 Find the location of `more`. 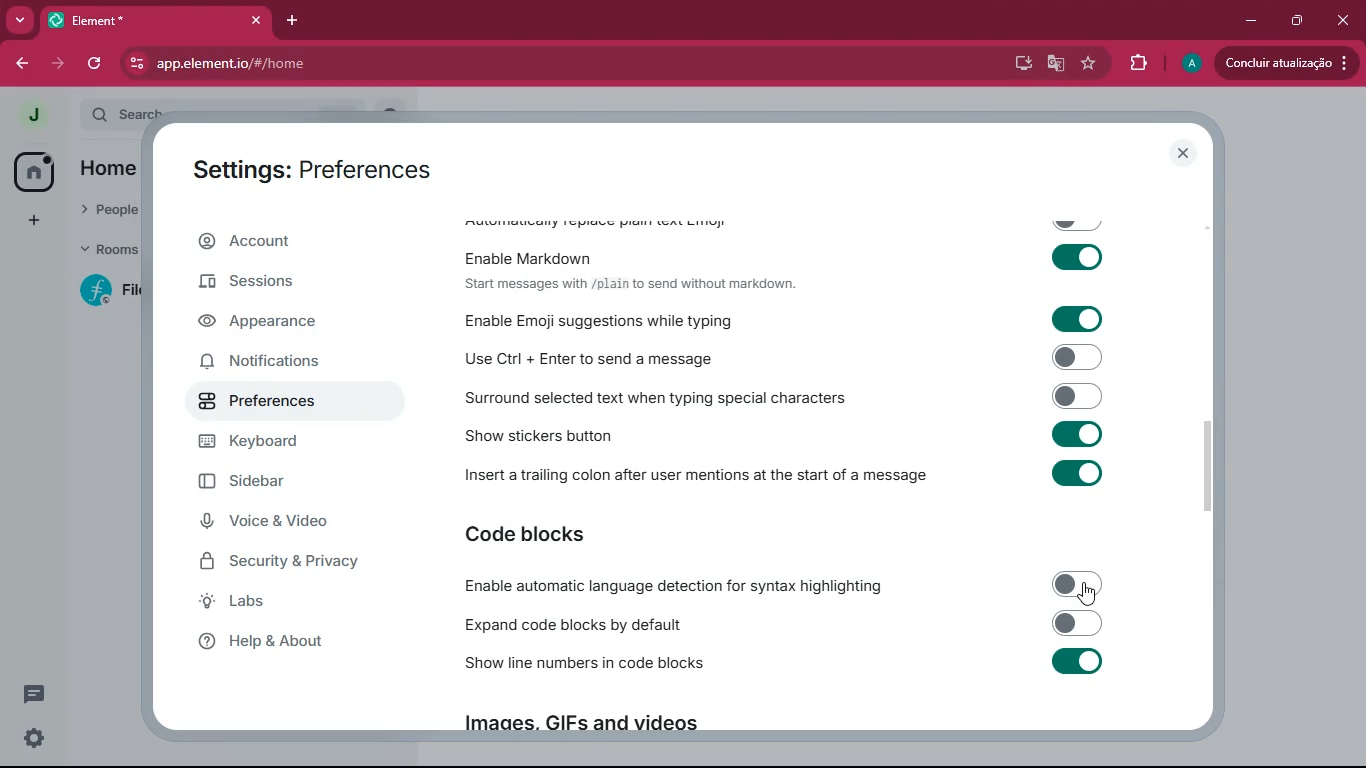

more is located at coordinates (20, 19).